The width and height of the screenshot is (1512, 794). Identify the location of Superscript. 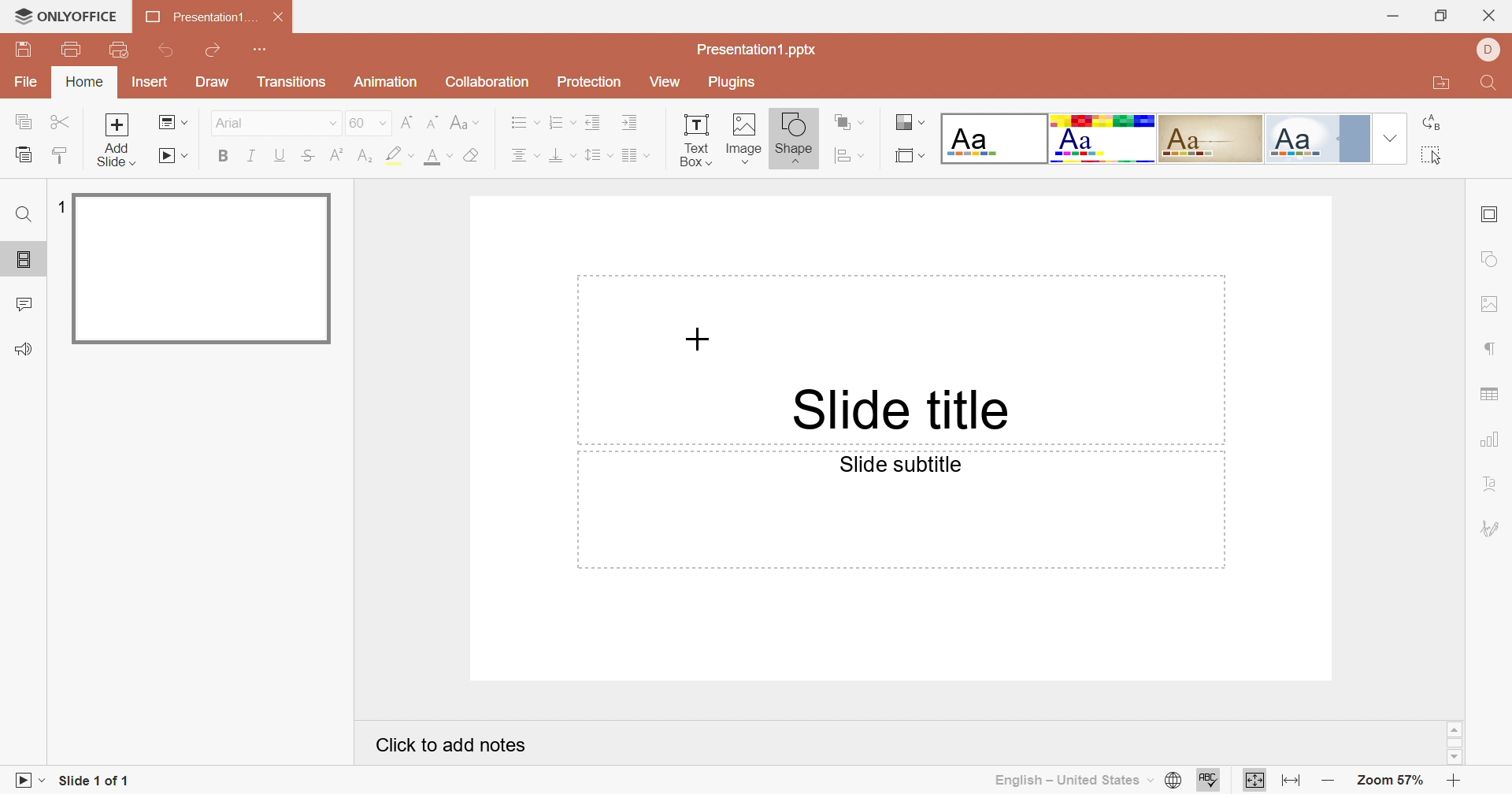
(339, 154).